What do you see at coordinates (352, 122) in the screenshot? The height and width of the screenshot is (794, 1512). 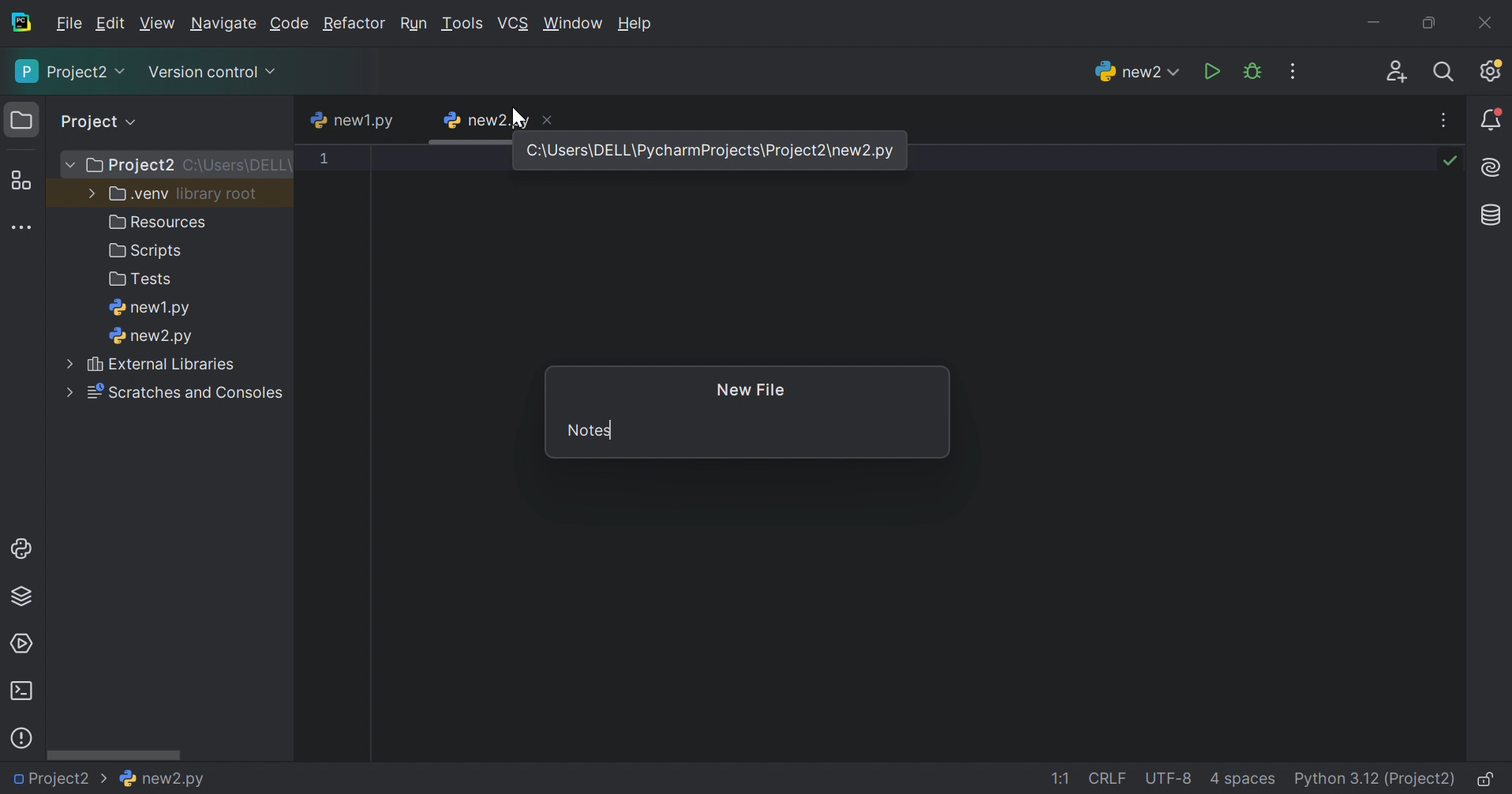 I see `new1.py` at bounding box center [352, 122].